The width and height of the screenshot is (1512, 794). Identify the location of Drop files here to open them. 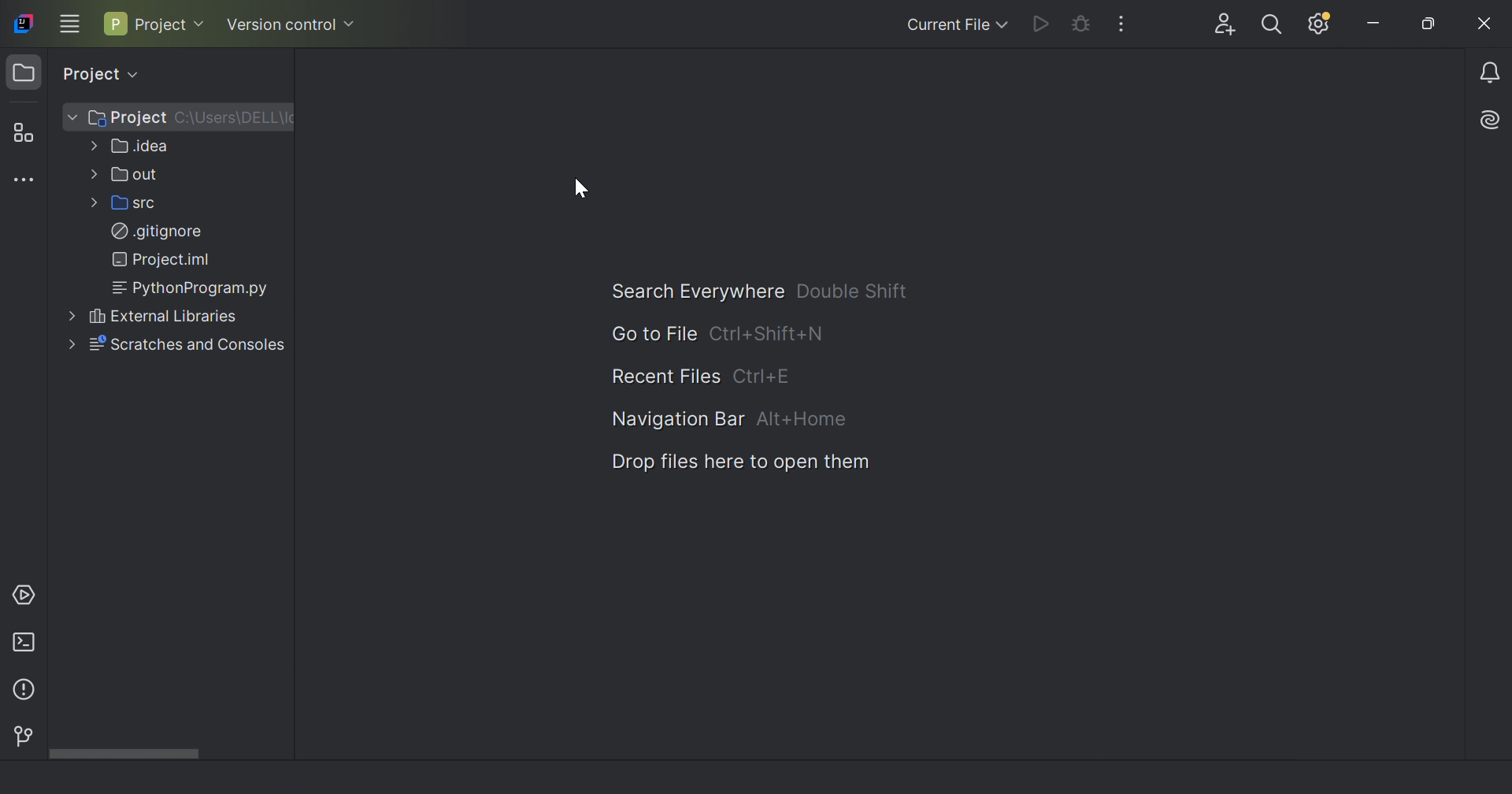
(743, 462).